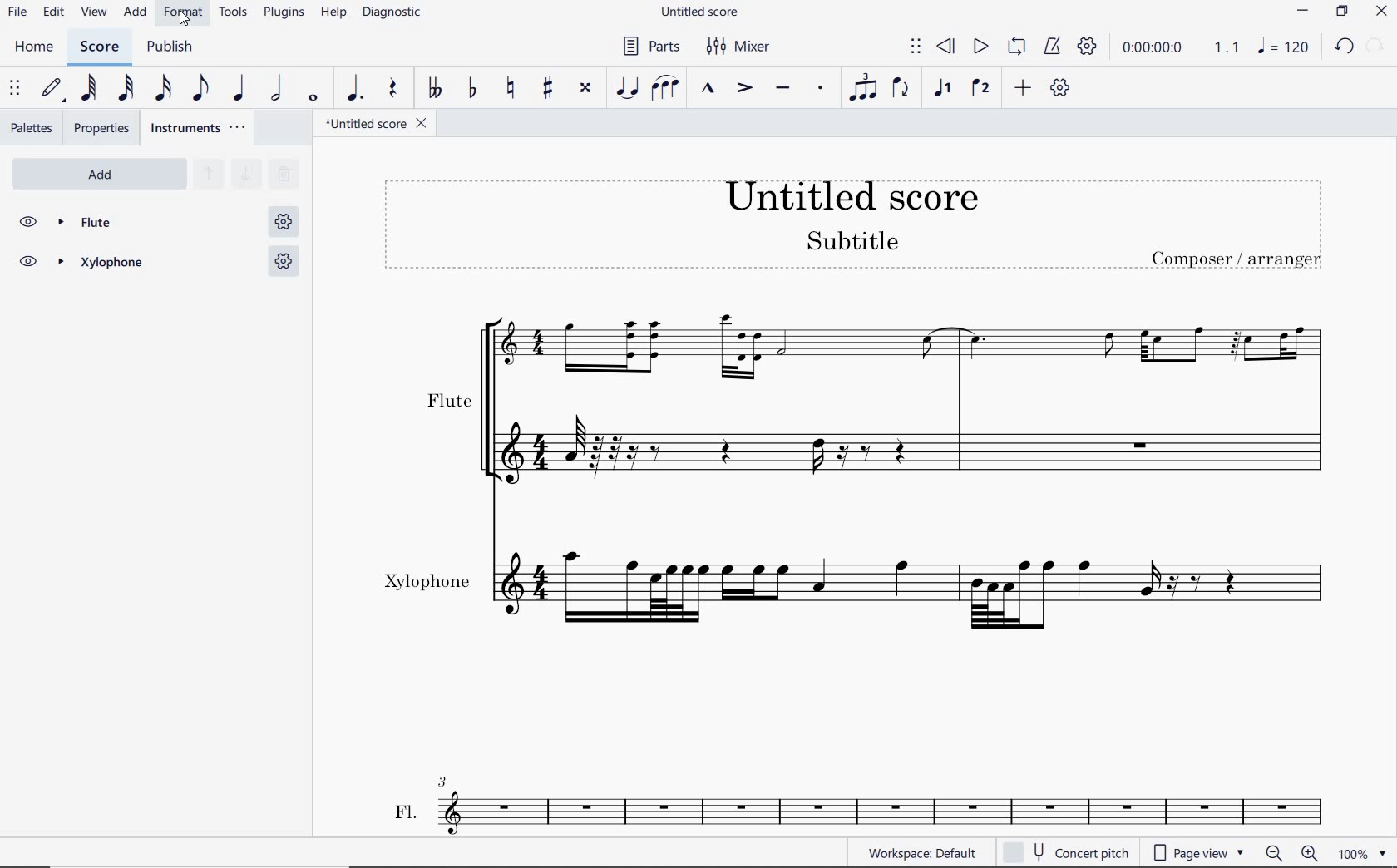 The width and height of the screenshot is (1397, 868). What do you see at coordinates (863, 86) in the screenshot?
I see `TUPLET` at bounding box center [863, 86].